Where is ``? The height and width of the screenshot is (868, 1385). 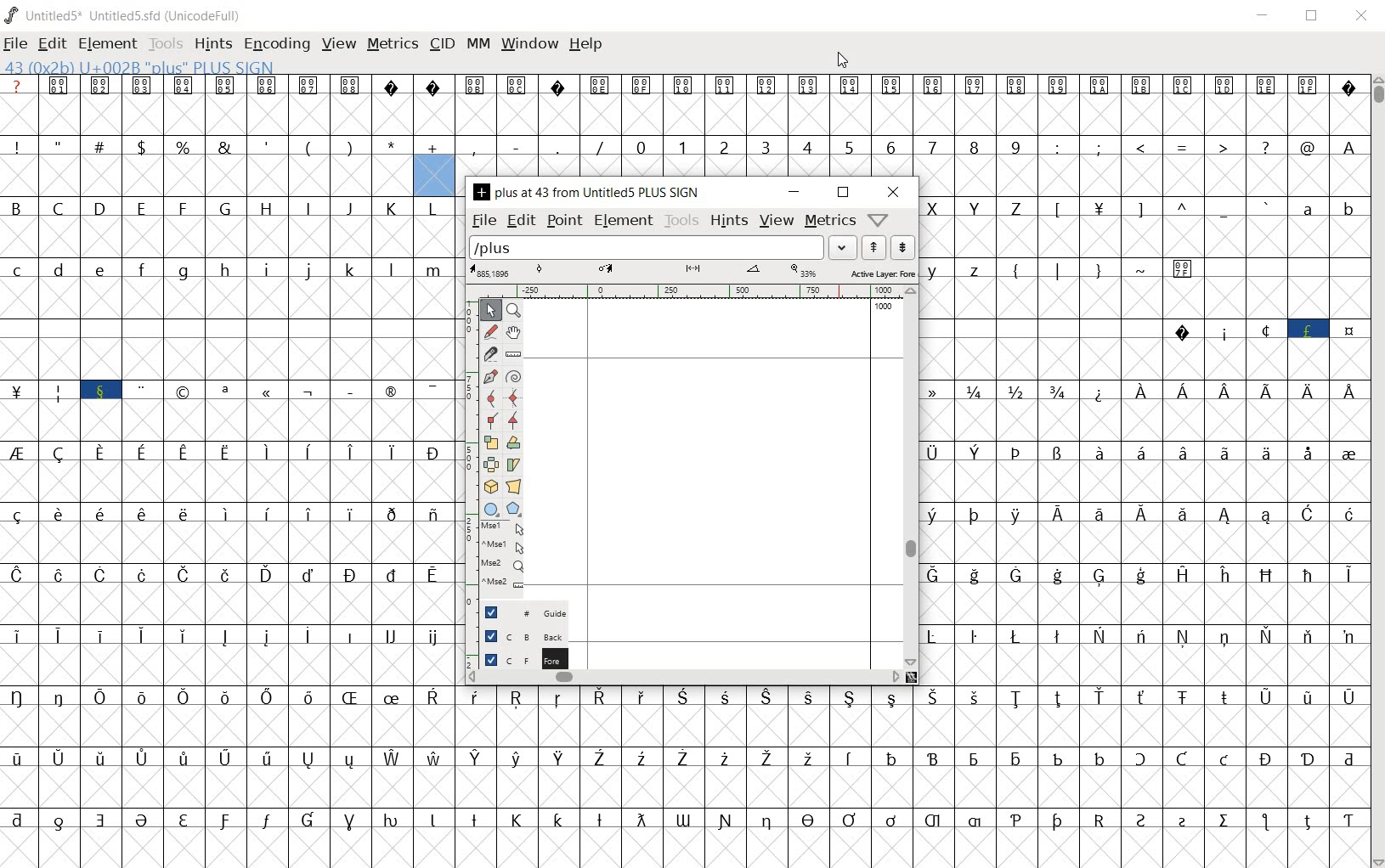
 is located at coordinates (1042, 351).